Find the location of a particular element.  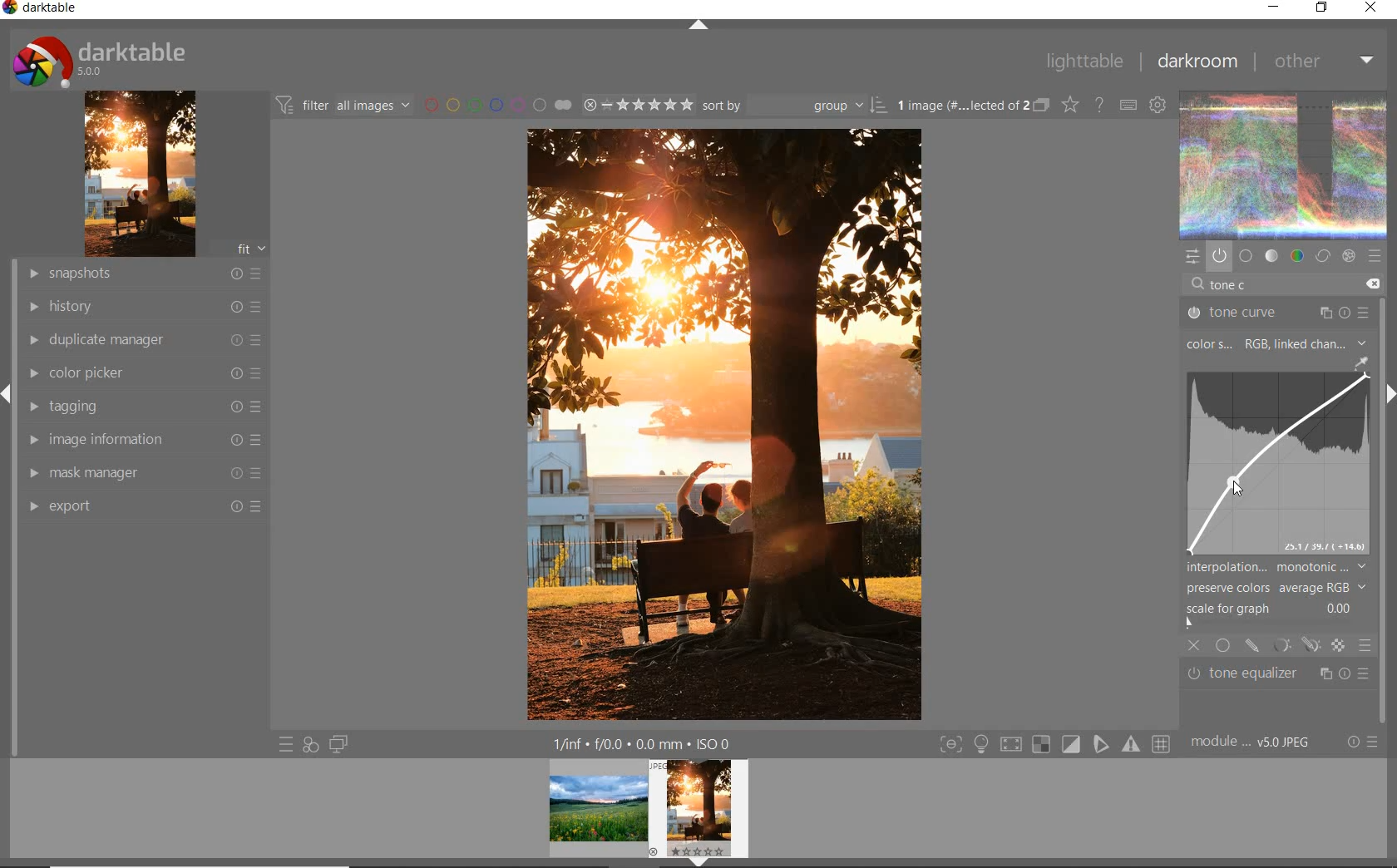

tone is located at coordinates (1272, 254).